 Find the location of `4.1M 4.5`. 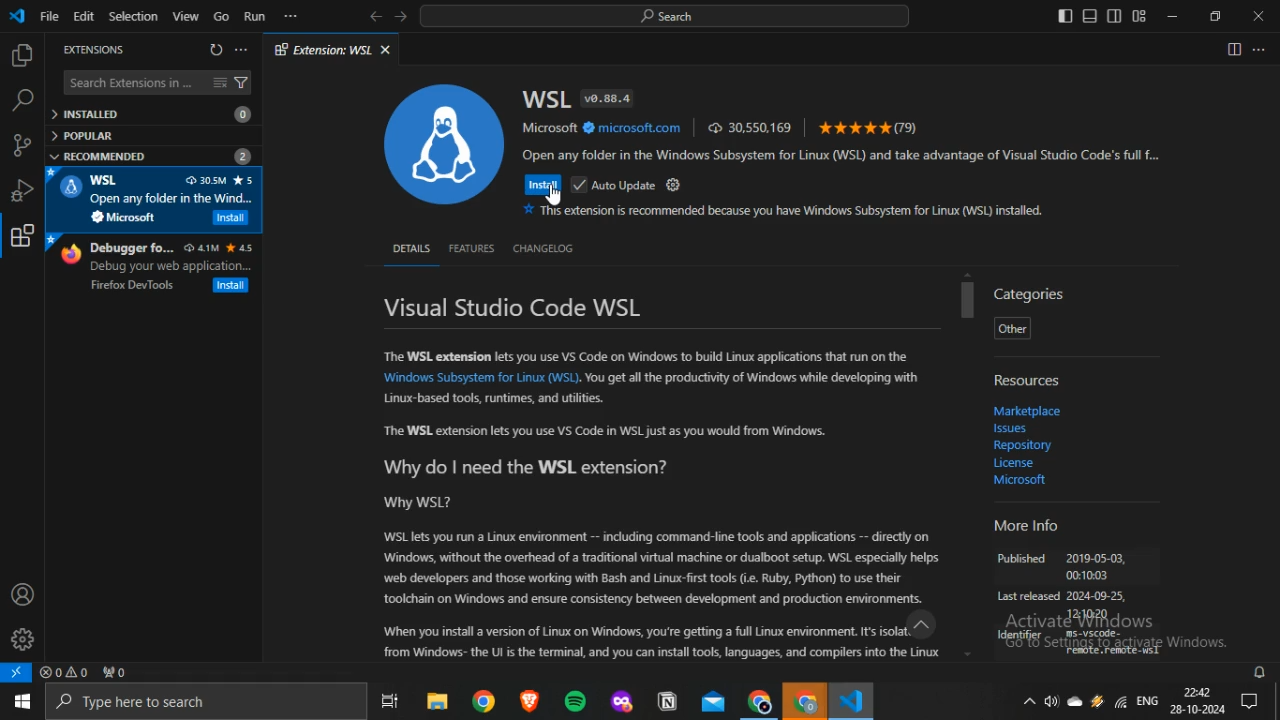

4.1M 4.5 is located at coordinates (219, 248).